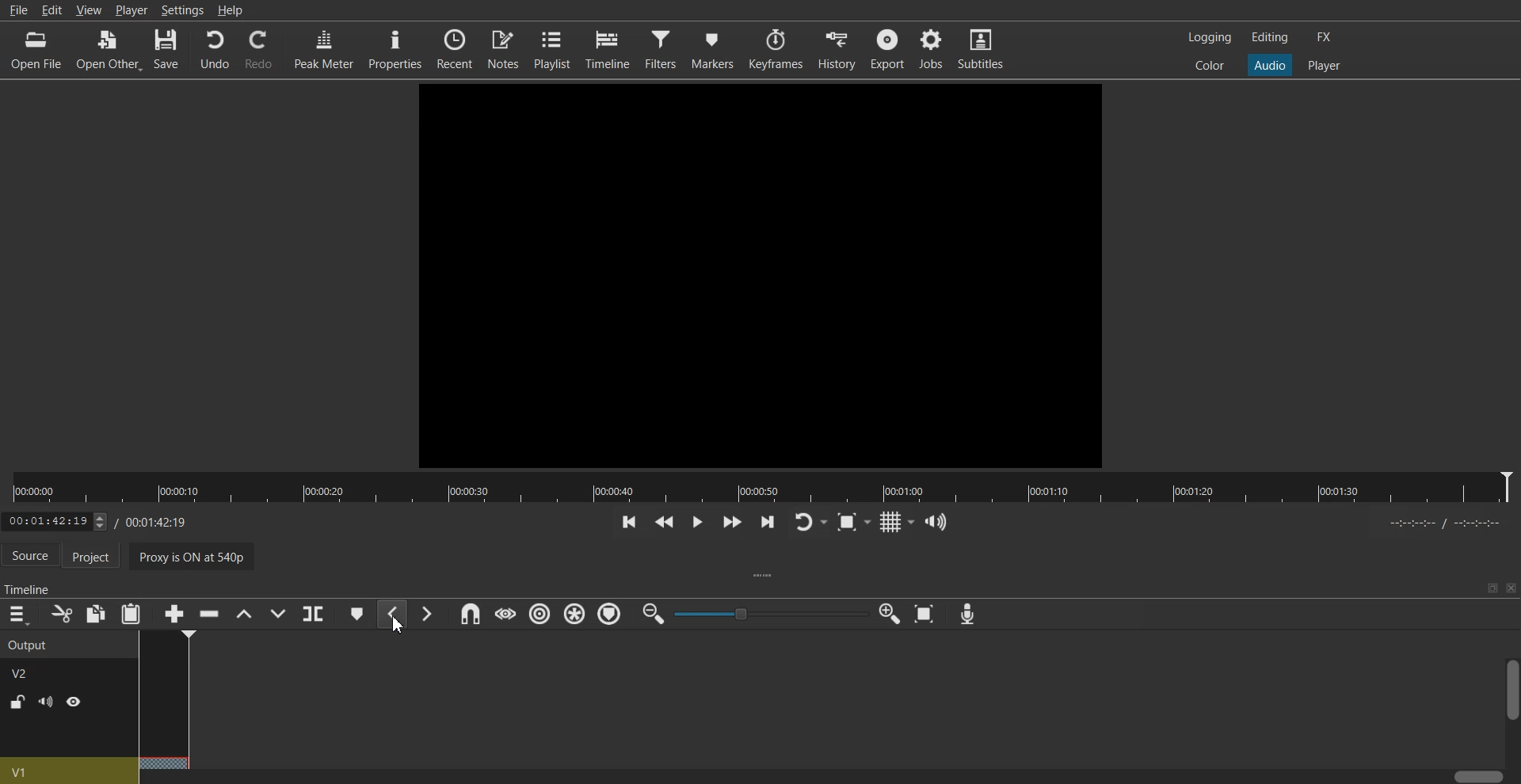  What do you see at coordinates (810, 521) in the screenshot?
I see `Toggle player looping` at bounding box center [810, 521].